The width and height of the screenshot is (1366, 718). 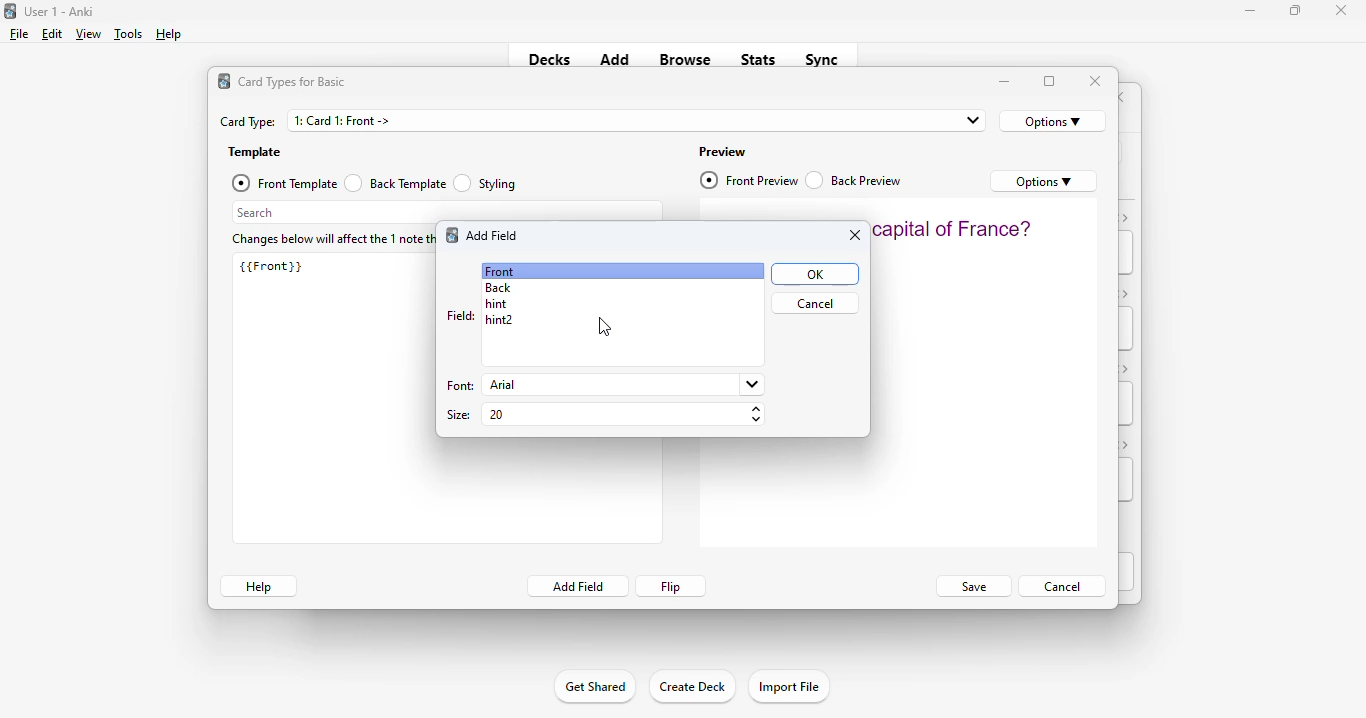 I want to click on flip, so click(x=672, y=586).